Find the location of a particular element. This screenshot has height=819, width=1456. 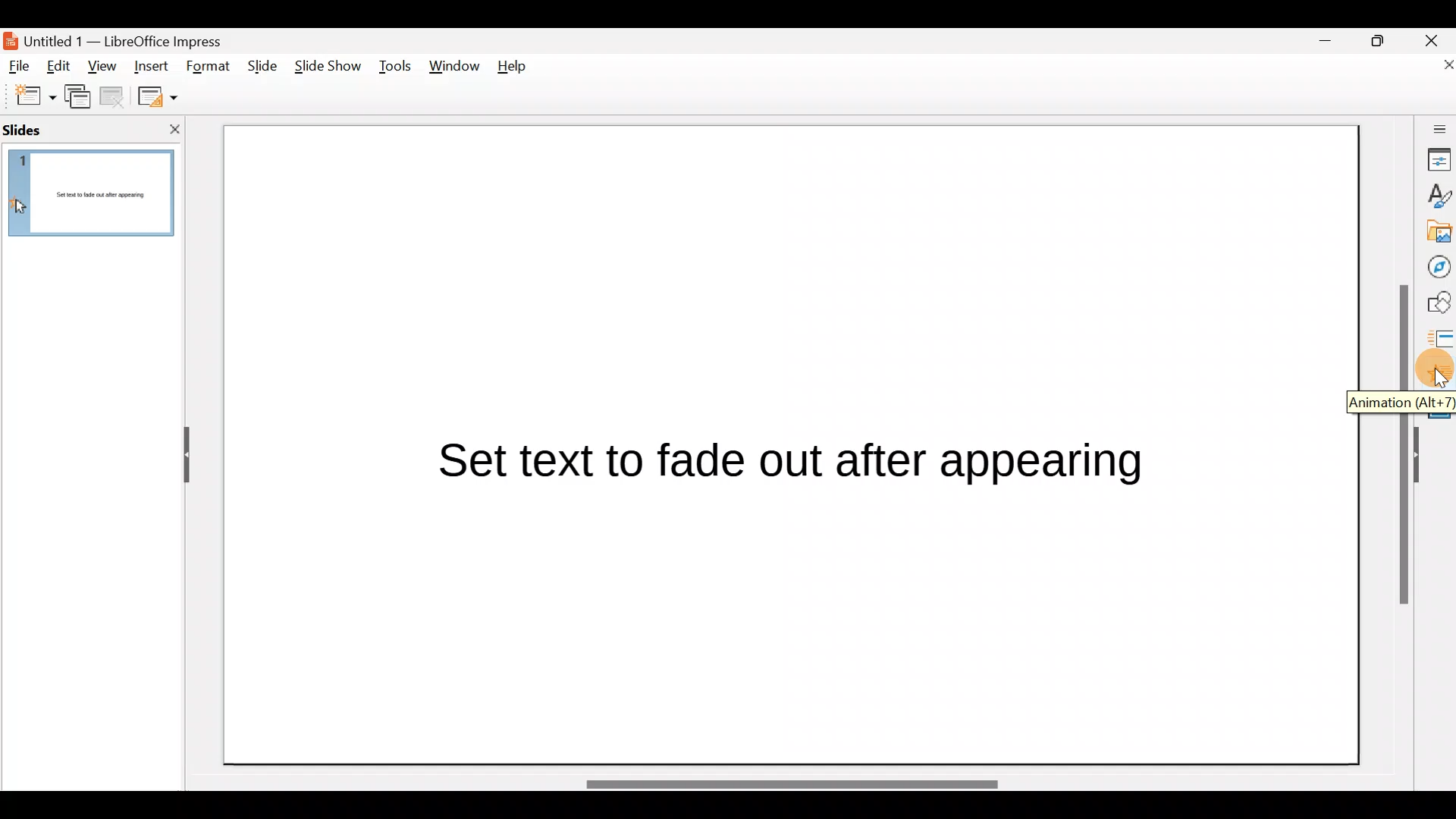

Properties is located at coordinates (1435, 162).